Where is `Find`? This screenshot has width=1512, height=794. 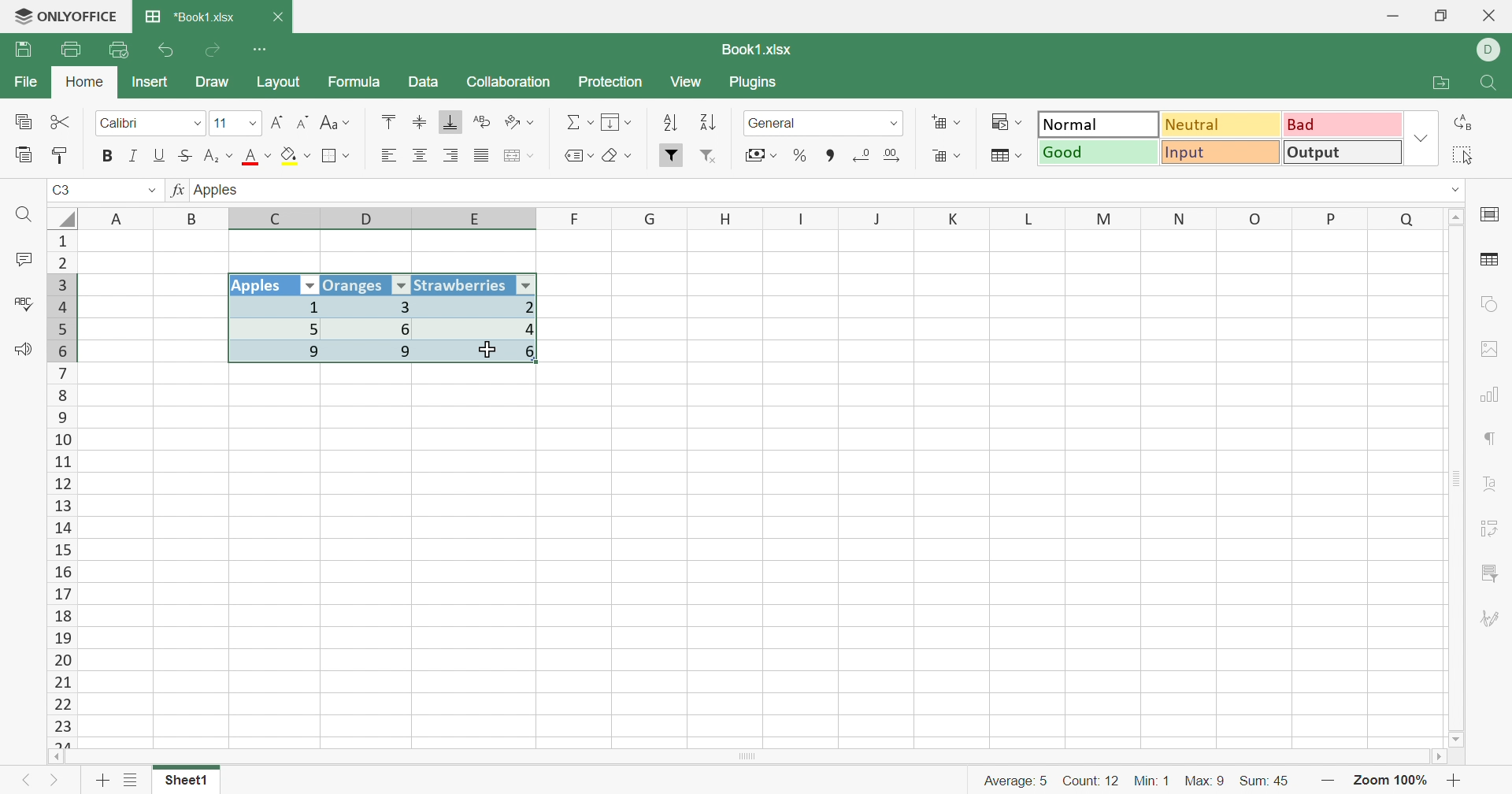 Find is located at coordinates (1492, 84).